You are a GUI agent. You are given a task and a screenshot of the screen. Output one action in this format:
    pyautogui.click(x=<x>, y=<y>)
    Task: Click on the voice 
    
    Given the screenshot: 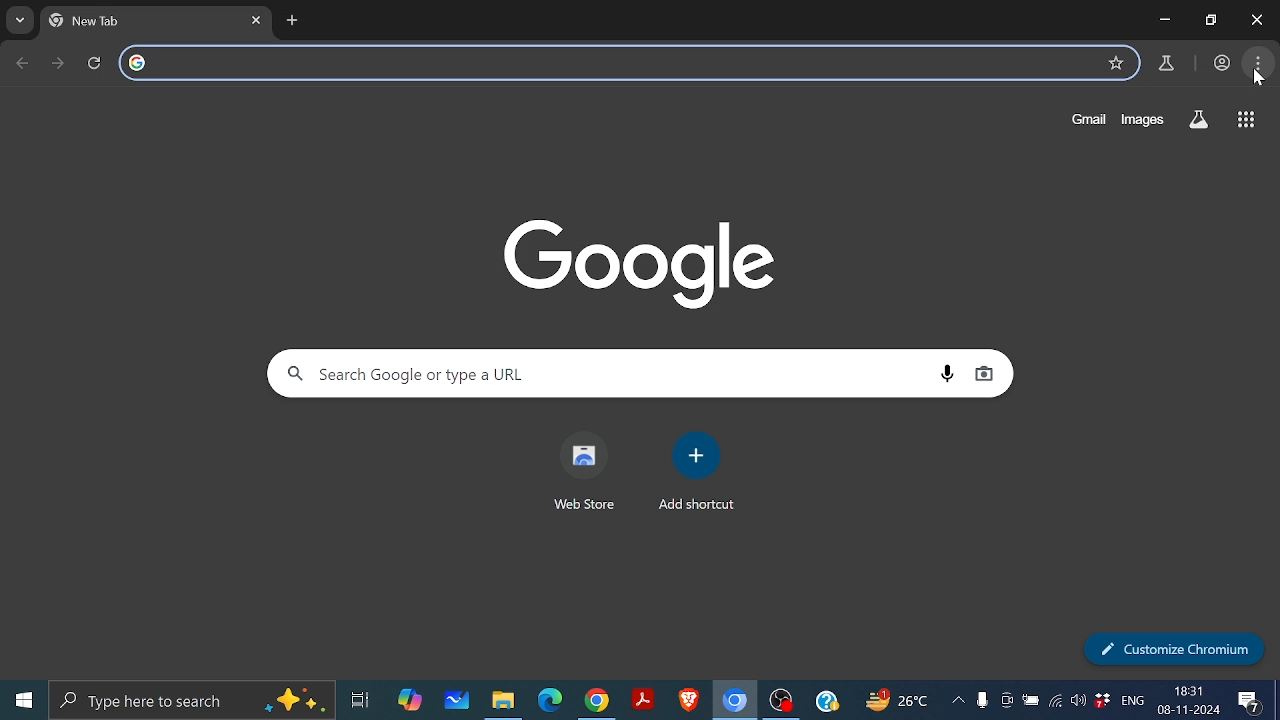 What is the action you would take?
    pyautogui.click(x=982, y=704)
    